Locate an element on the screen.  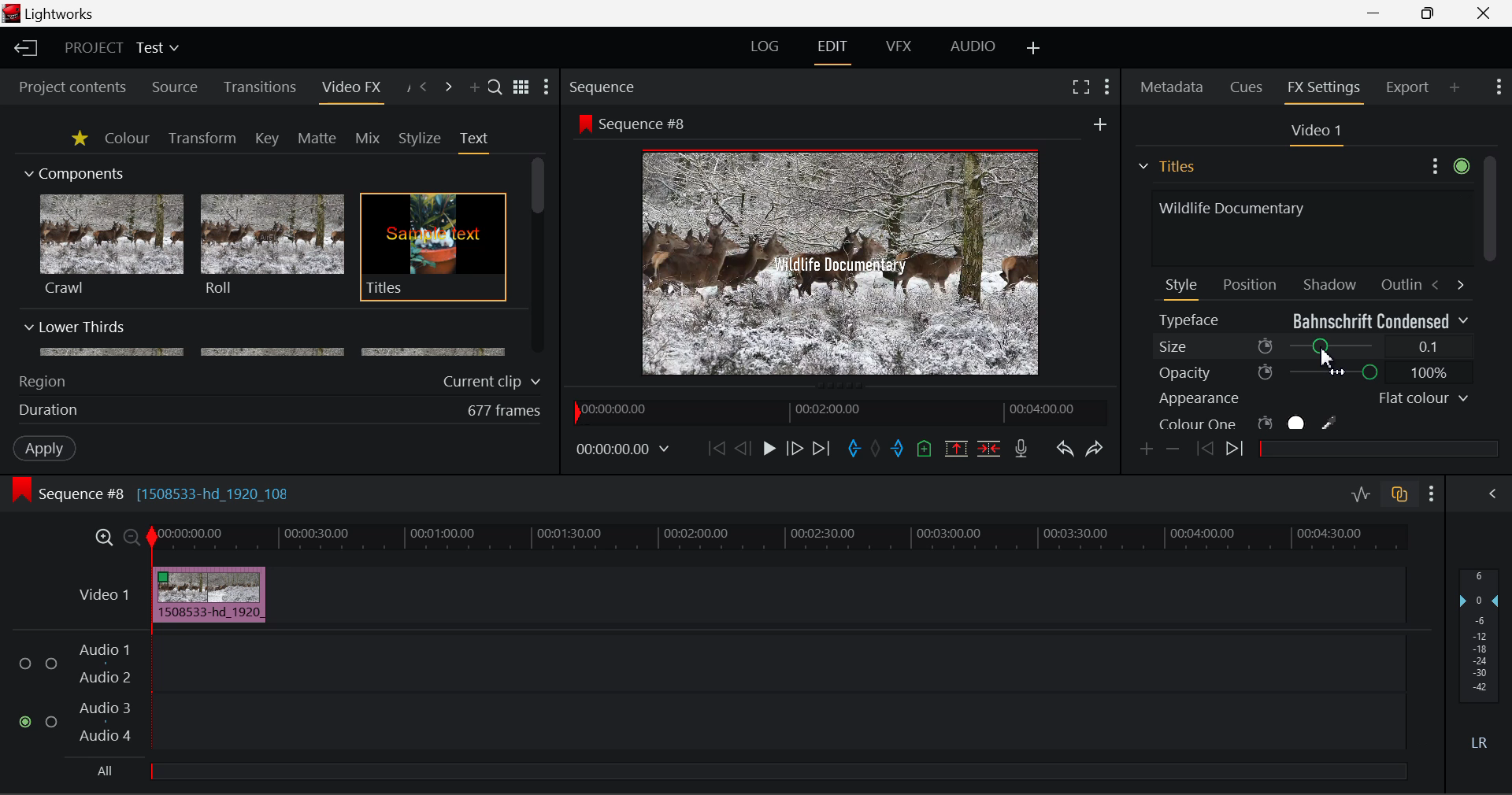
Colour is located at coordinates (127, 137).